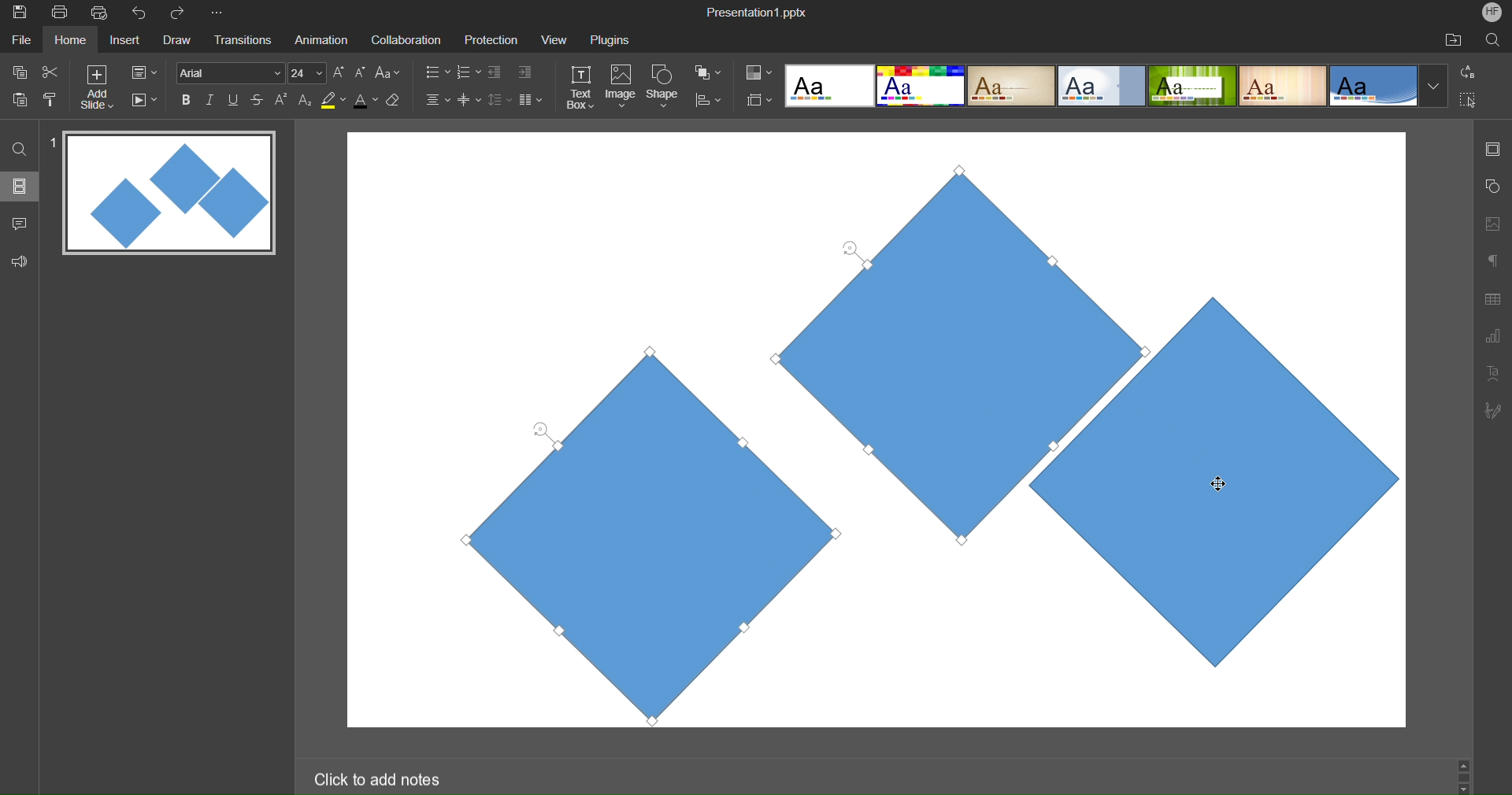 This screenshot has height=795, width=1512. What do you see at coordinates (388, 72) in the screenshot?
I see `Font Case Settings` at bounding box center [388, 72].